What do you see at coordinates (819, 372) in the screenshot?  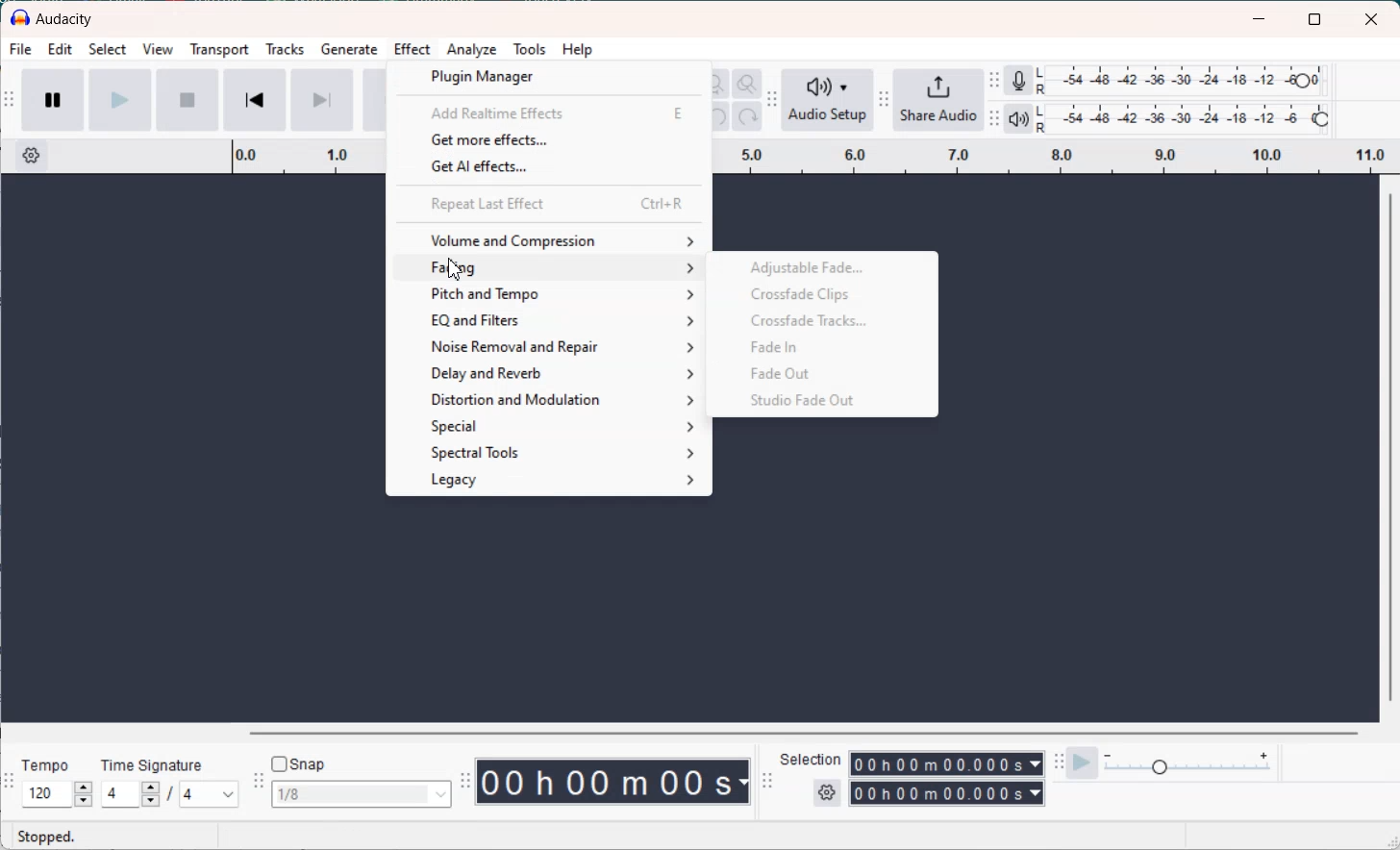 I see `Fade Out` at bounding box center [819, 372].